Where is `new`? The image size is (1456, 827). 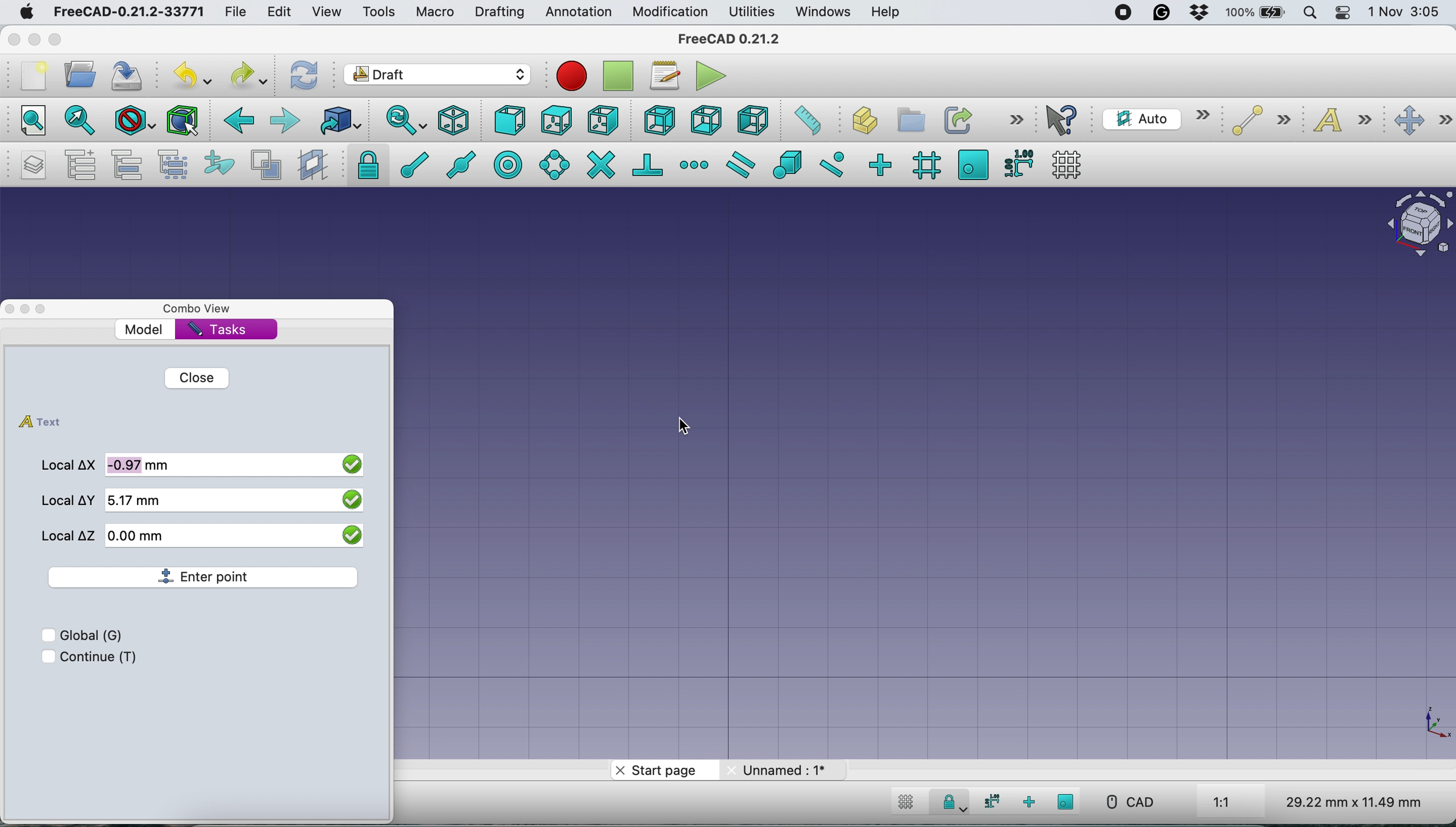
new is located at coordinates (34, 78).